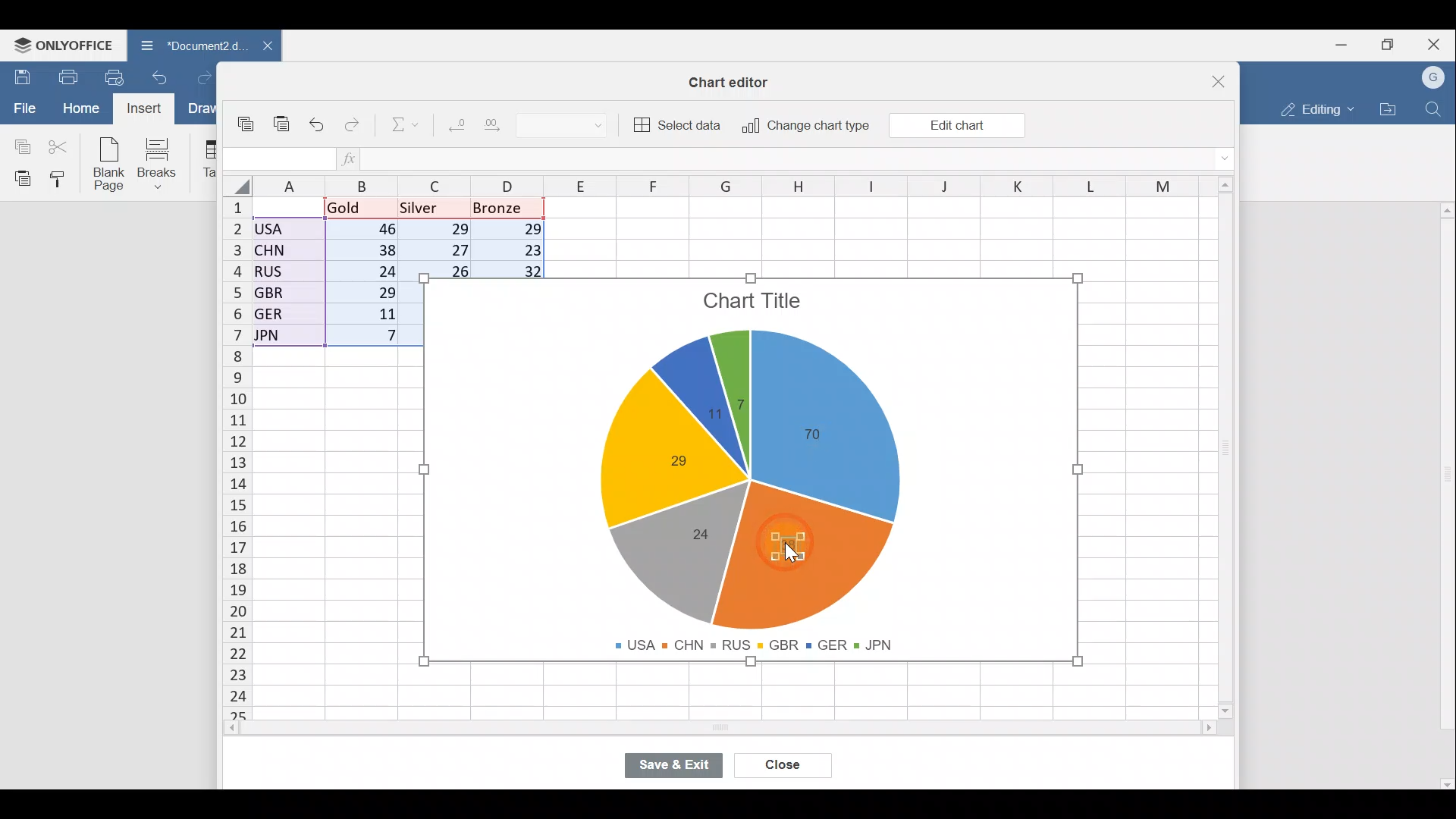 The height and width of the screenshot is (819, 1456). Describe the element at coordinates (249, 126) in the screenshot. I see `Copy` at that location.